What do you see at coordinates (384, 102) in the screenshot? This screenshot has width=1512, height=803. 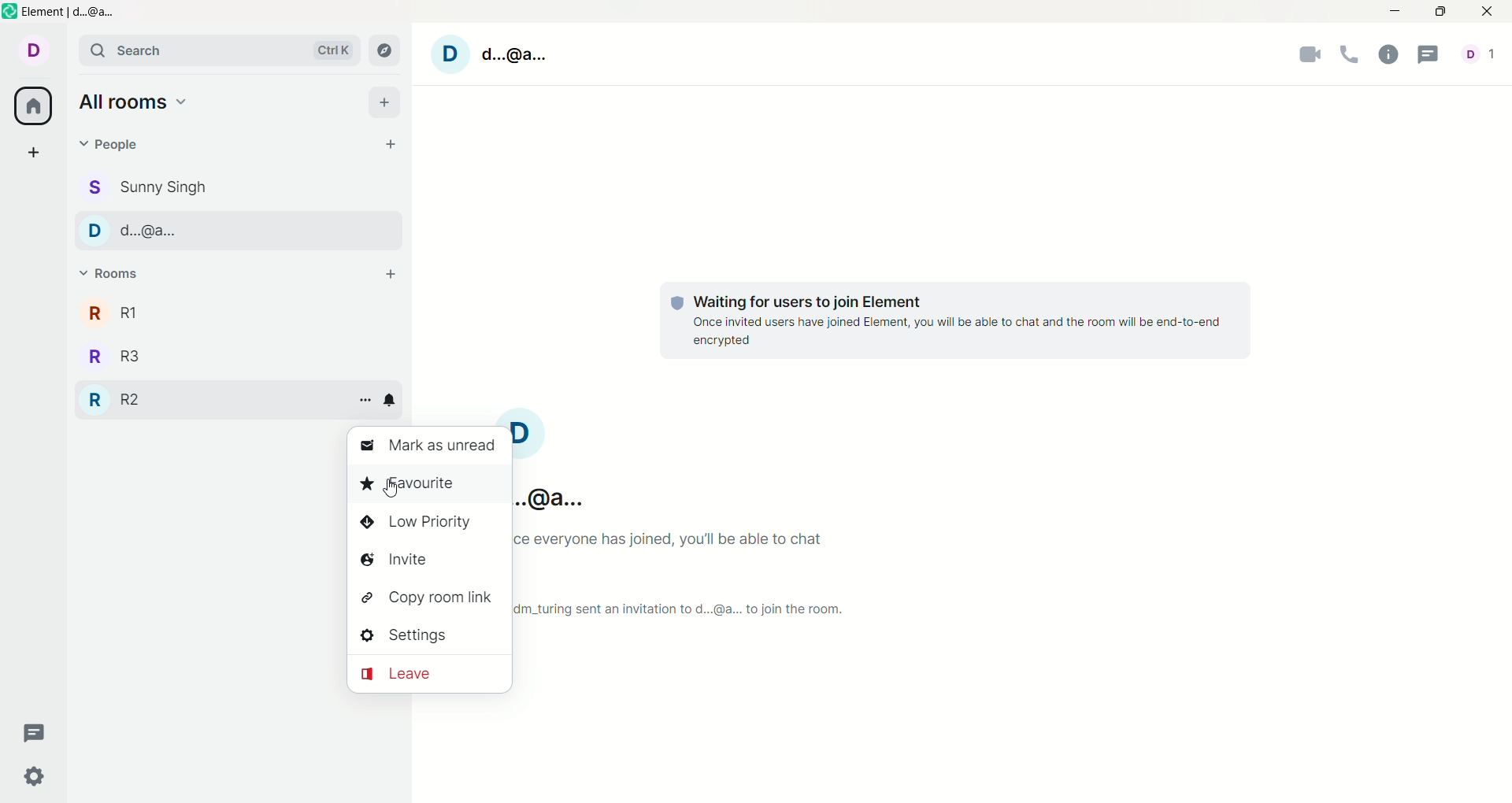 I see `add` at bounding box center [384, 102].